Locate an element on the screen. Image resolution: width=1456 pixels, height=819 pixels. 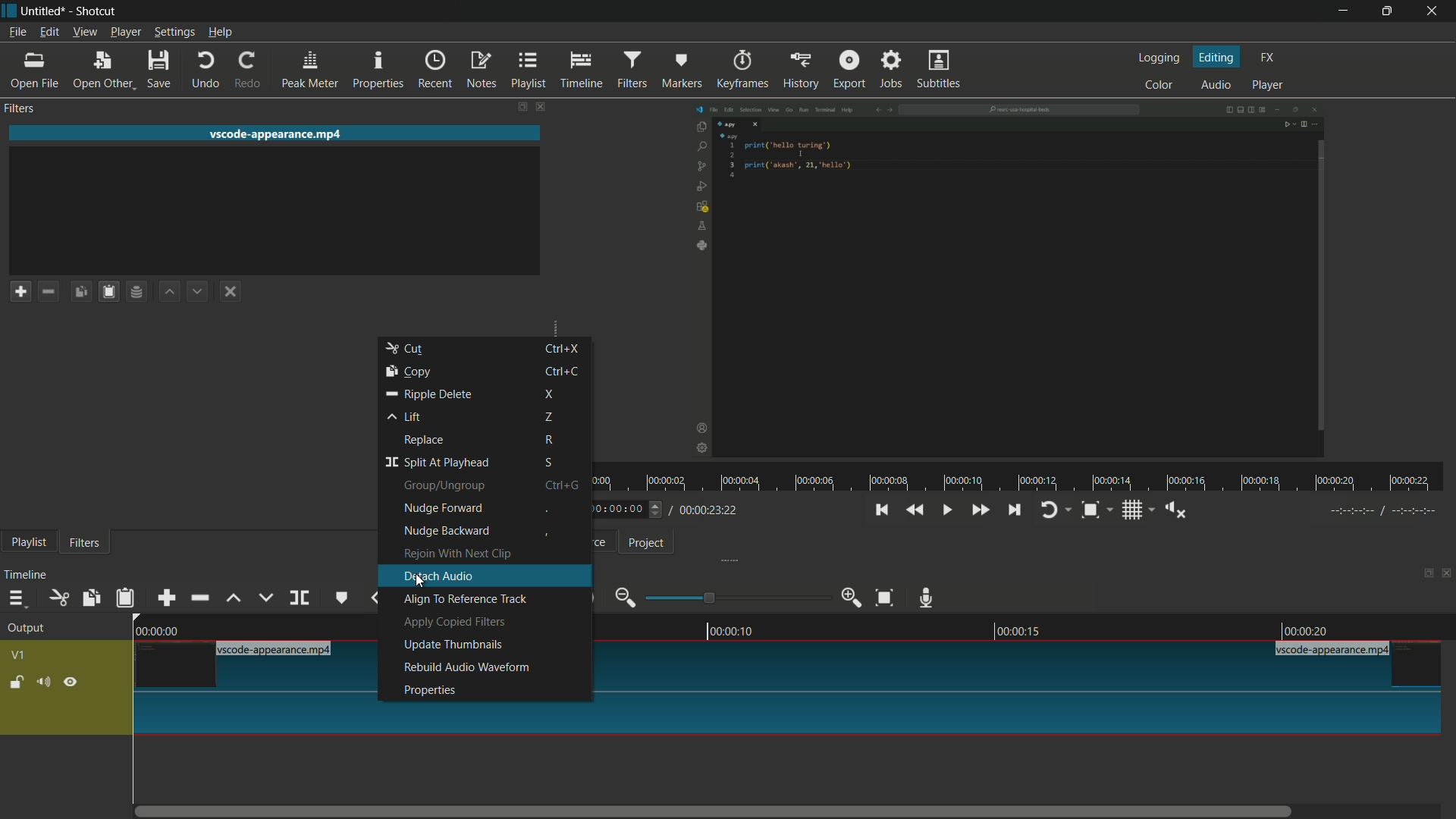
in point is located at coordinates (1385, 510).